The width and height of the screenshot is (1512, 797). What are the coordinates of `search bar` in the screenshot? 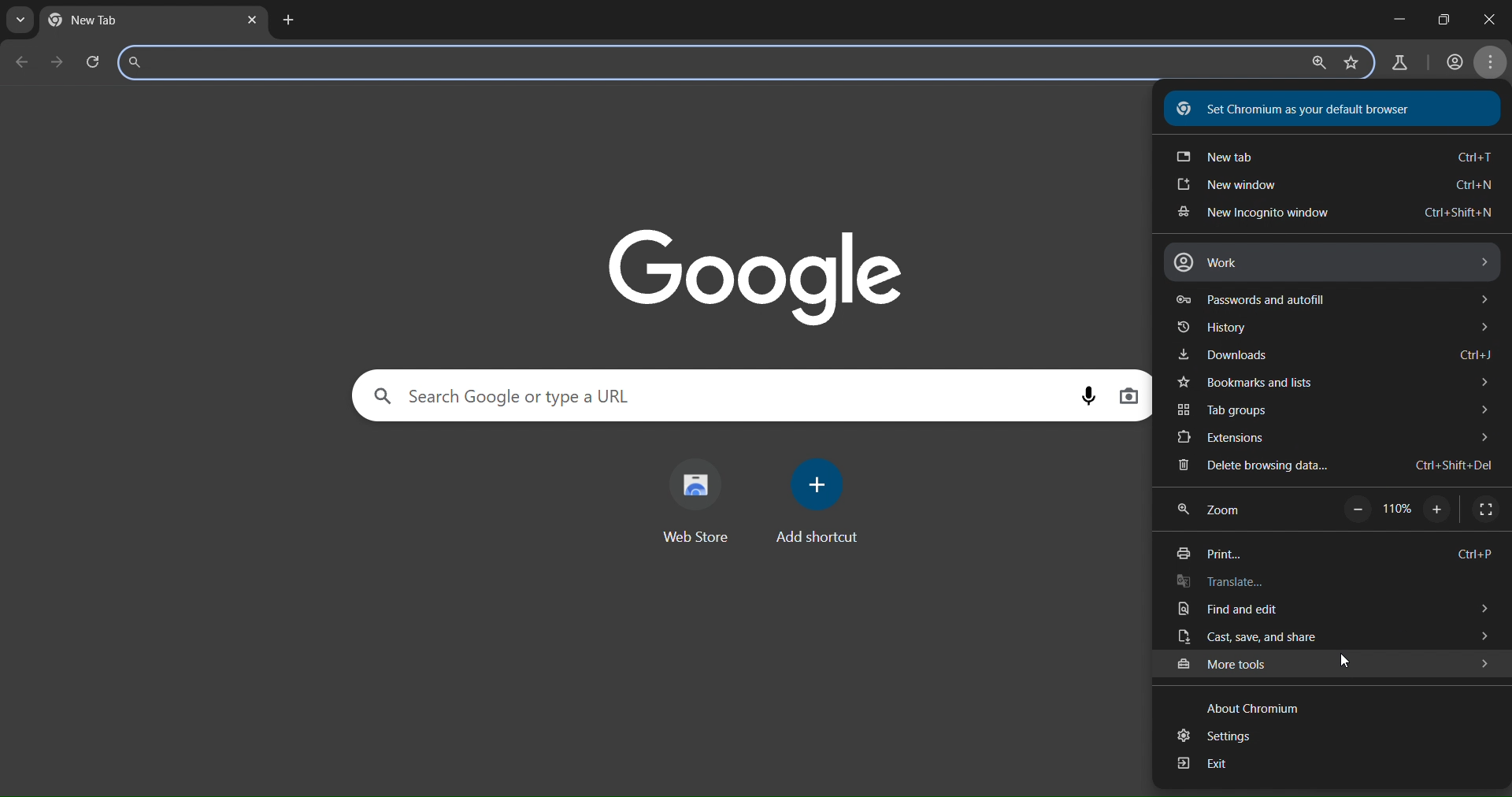 It's located at (230, 62).